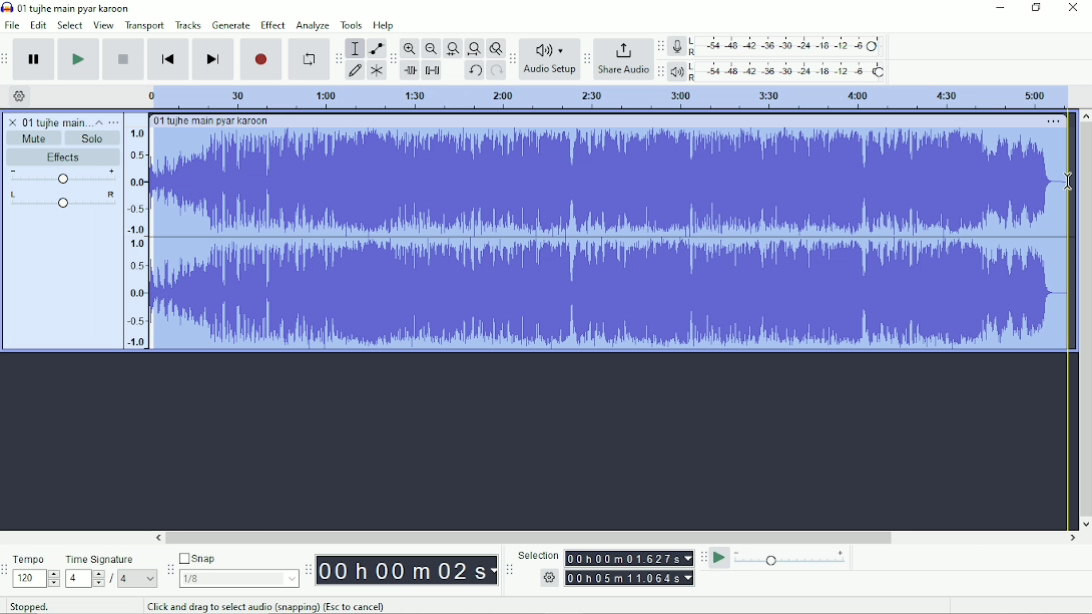 The height and width of the screenshot is (614, 1092). What do you see at coordinates (547, 578) in the screenshot?
I see `` at bounding box center [547, 578].